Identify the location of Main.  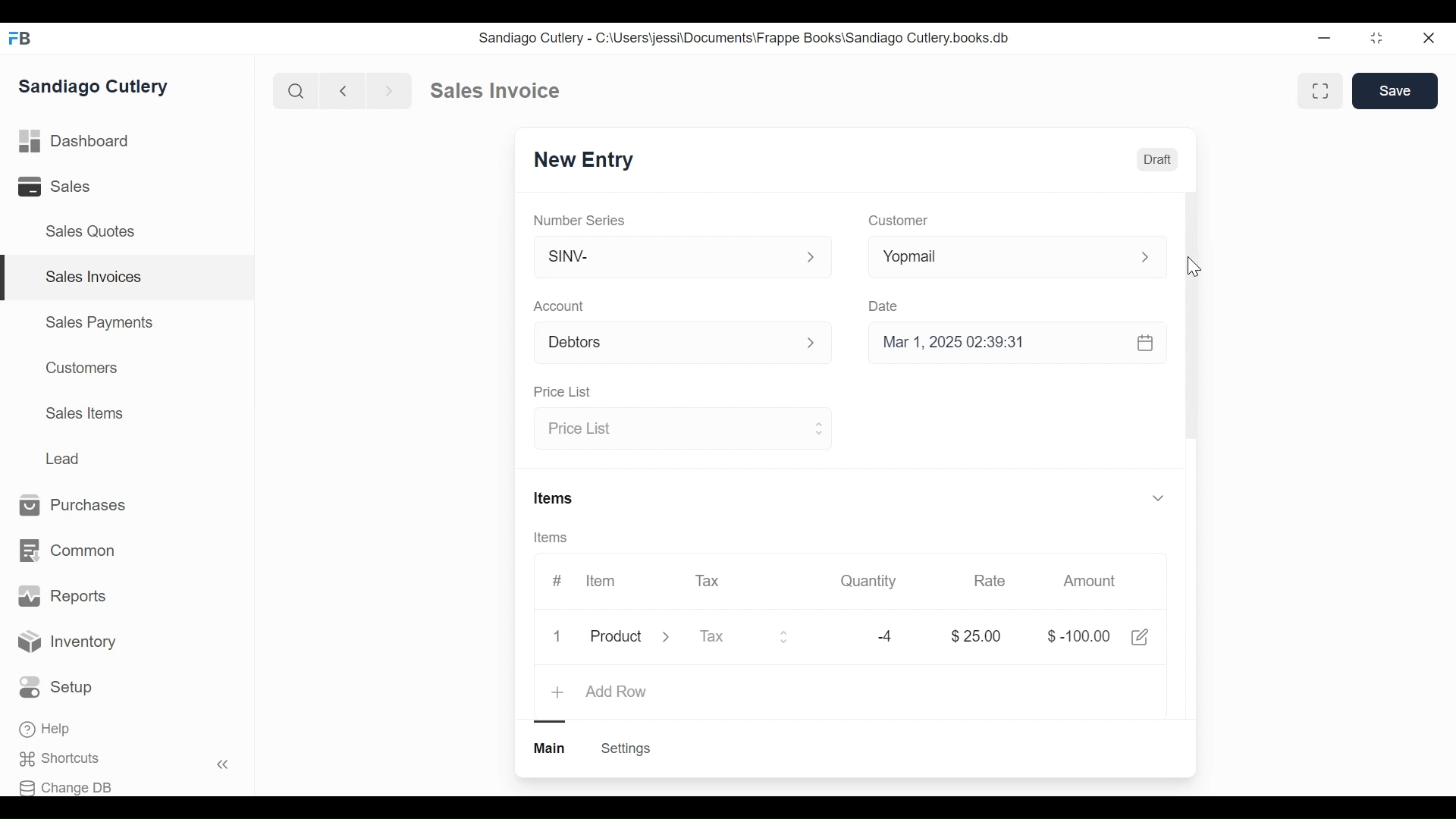
(551, 748).